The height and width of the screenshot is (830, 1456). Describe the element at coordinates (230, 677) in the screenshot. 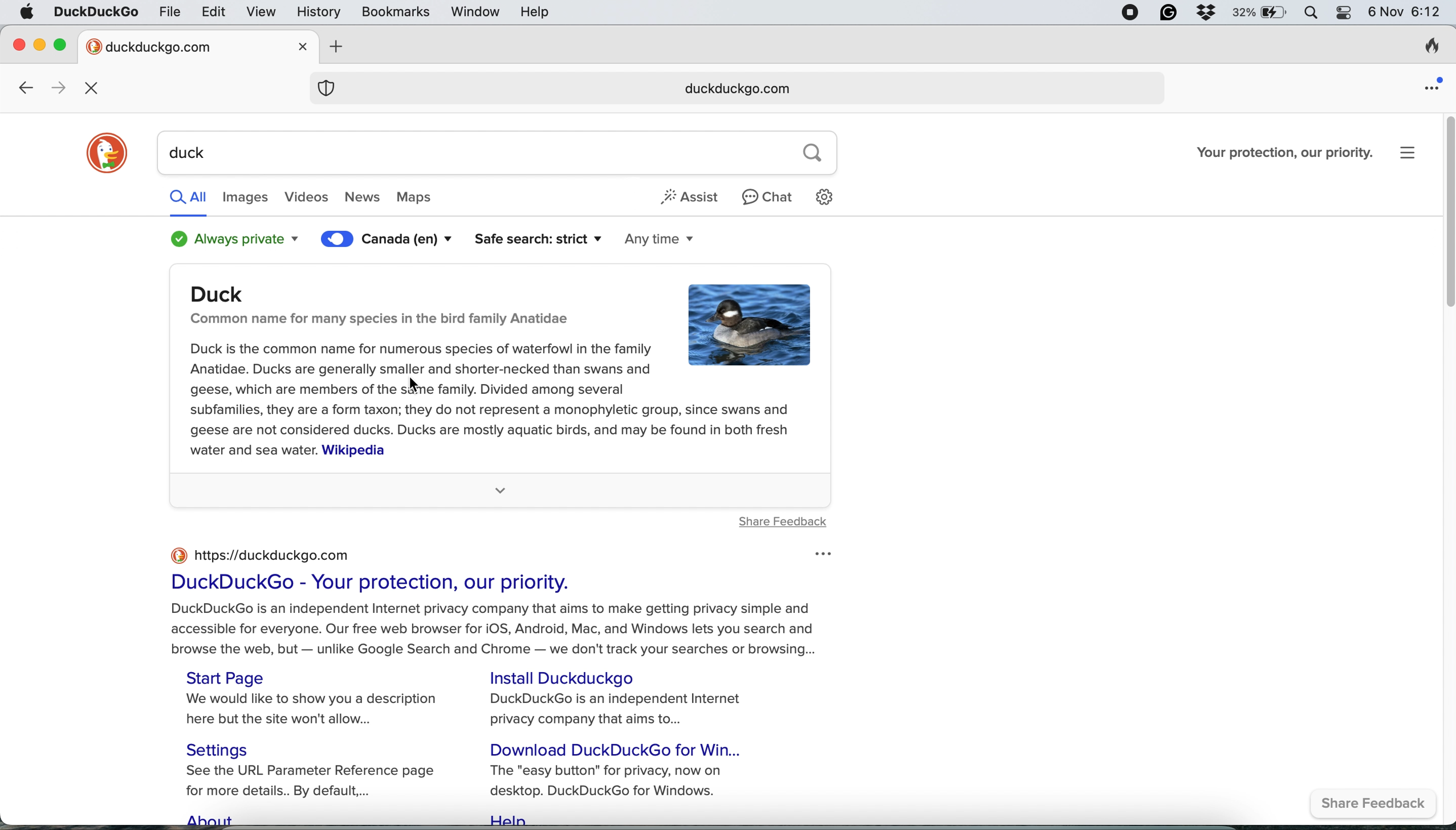

I see `Start Page` at that location.